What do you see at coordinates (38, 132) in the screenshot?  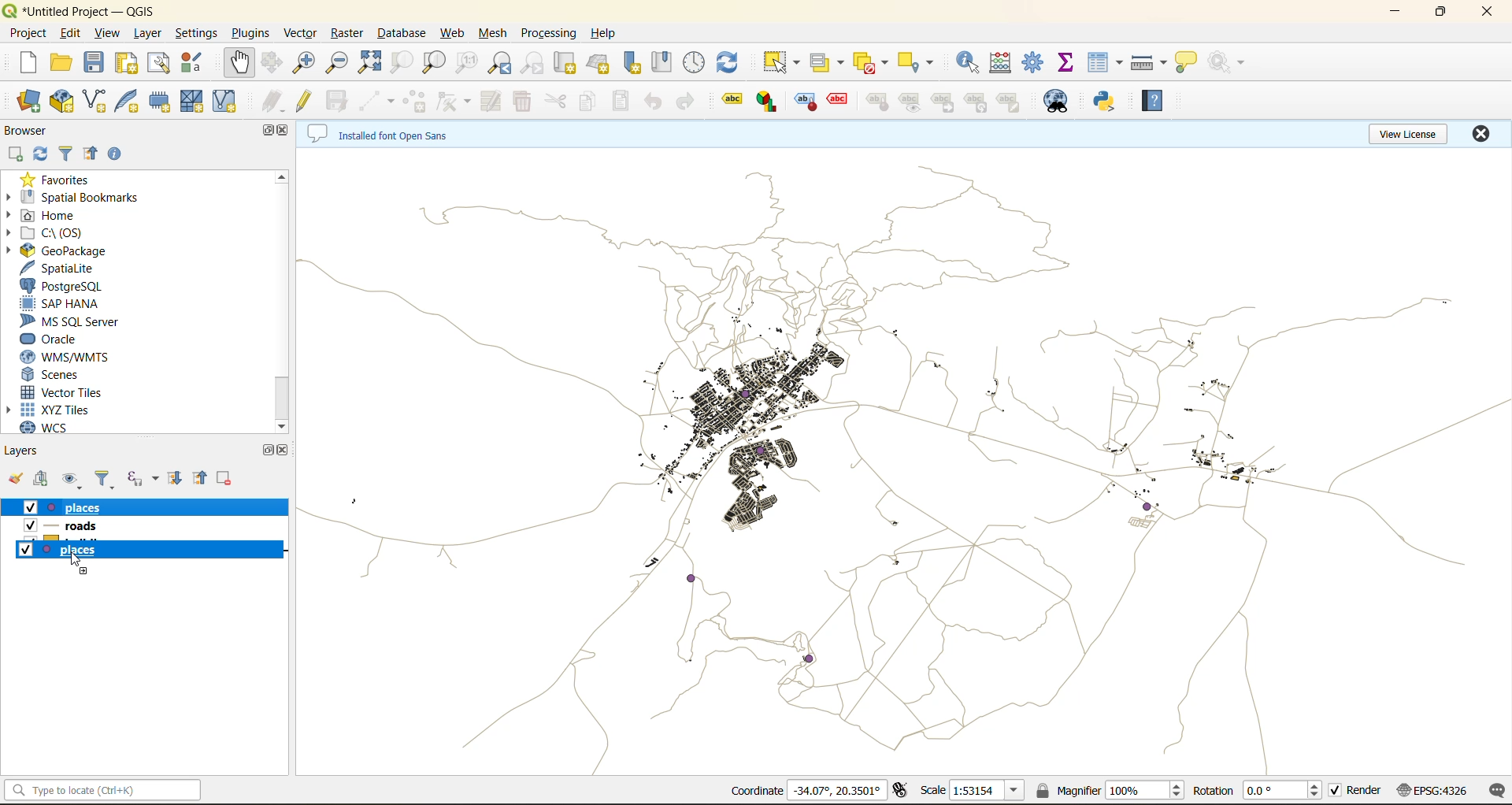 I see `browser` at bounding box center [38, 132].